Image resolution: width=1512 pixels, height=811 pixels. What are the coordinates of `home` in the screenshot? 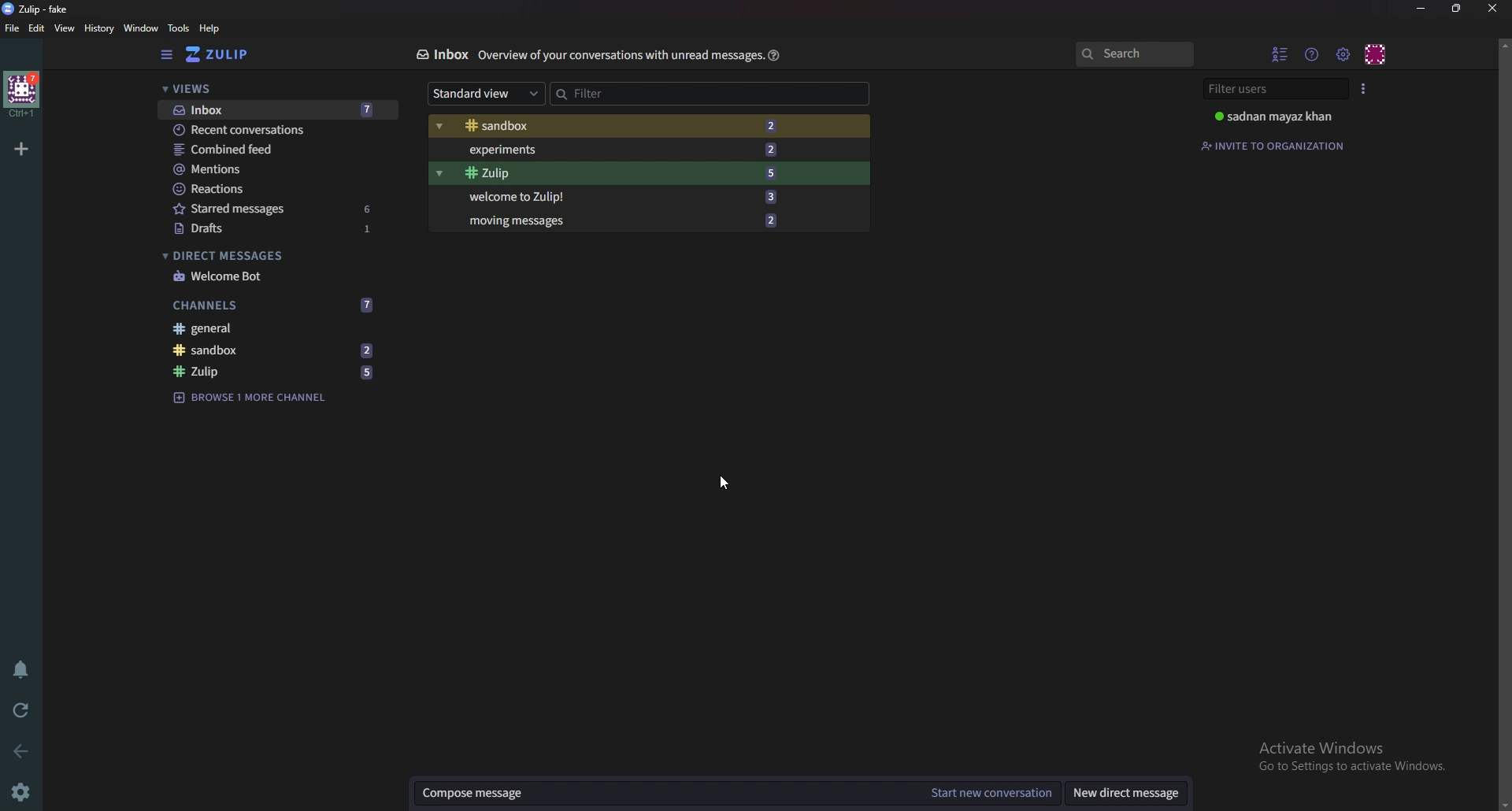 It's located at (22, 95).